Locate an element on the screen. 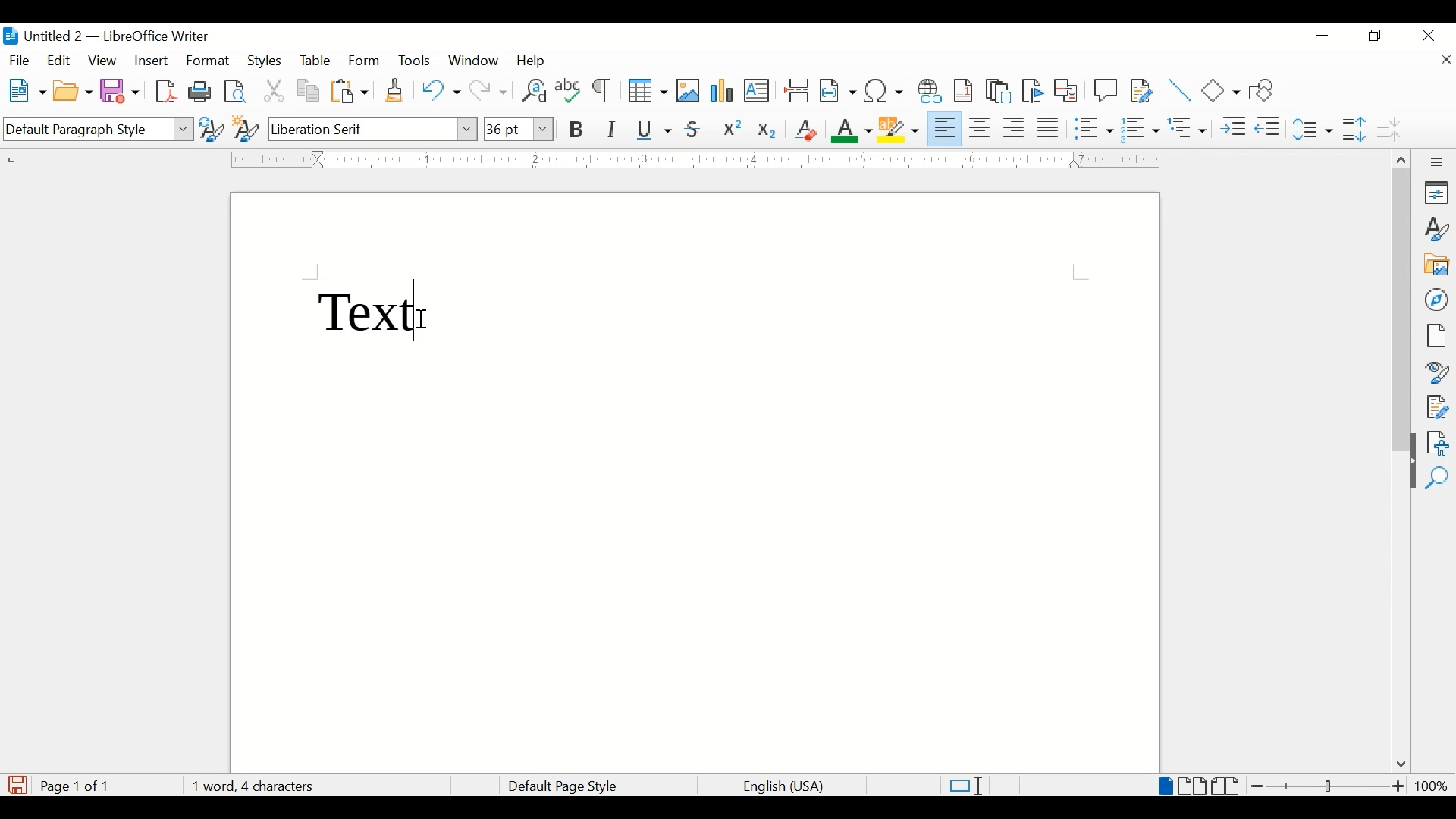 The height and width of the screenshot is (819, 1456). gallery is located at coordinates (1437, 265).